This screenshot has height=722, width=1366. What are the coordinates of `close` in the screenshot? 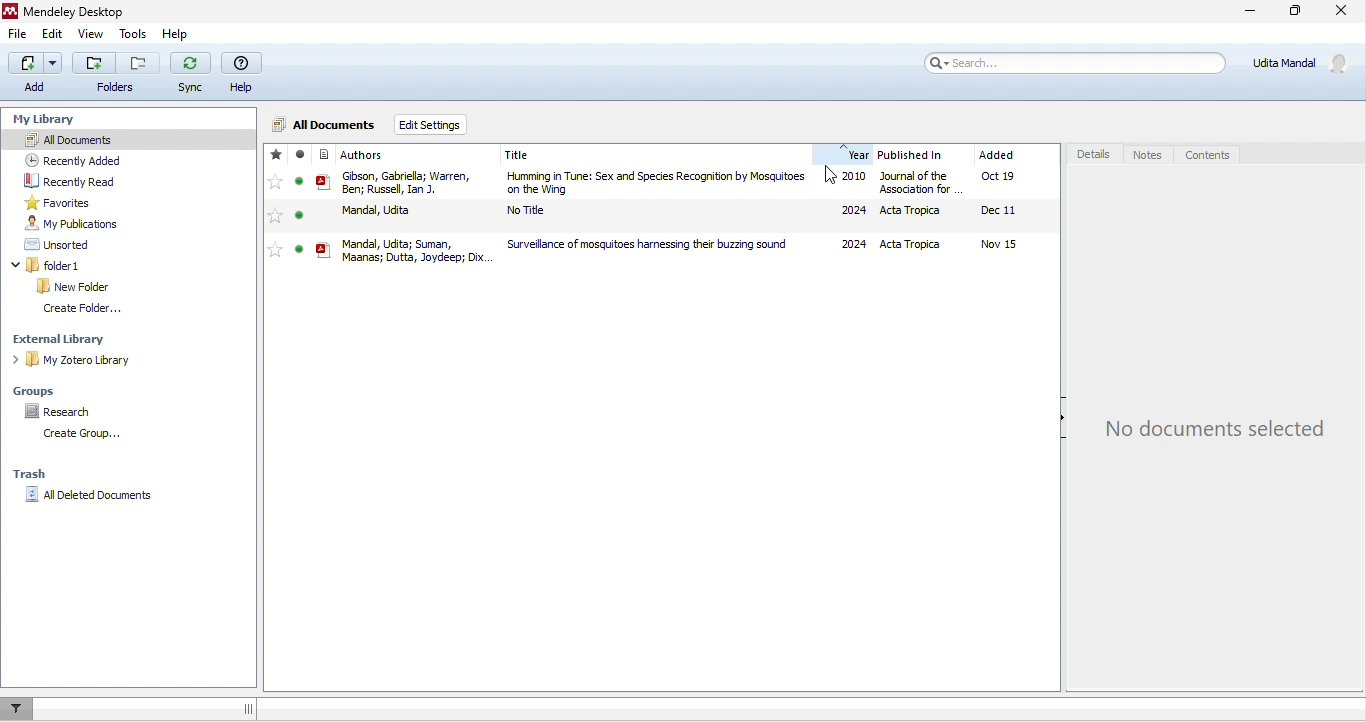 It's located at (1344, 13).